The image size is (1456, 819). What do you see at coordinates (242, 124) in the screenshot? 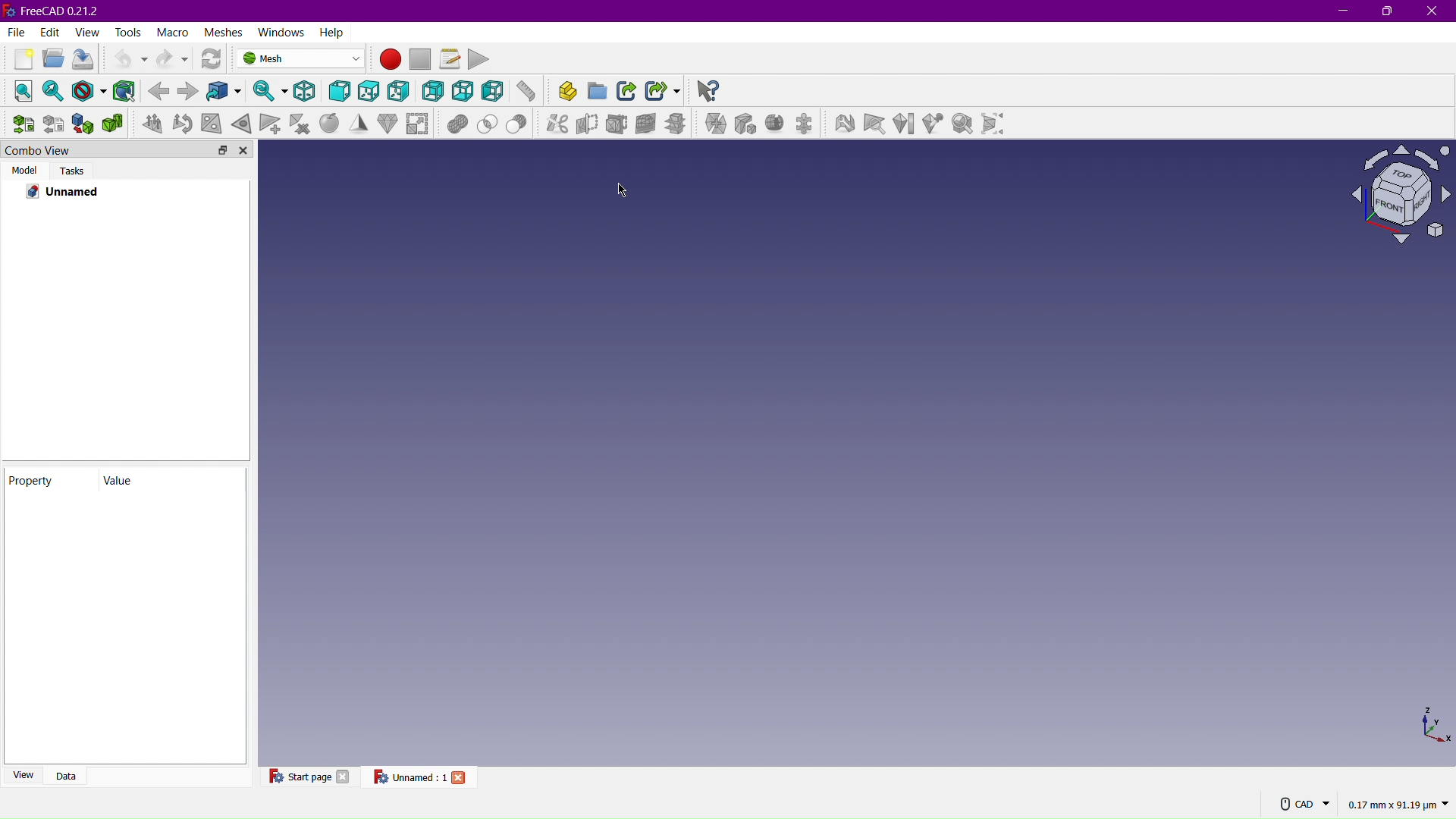
I see `Close hole` at bounding box center [242, 124].